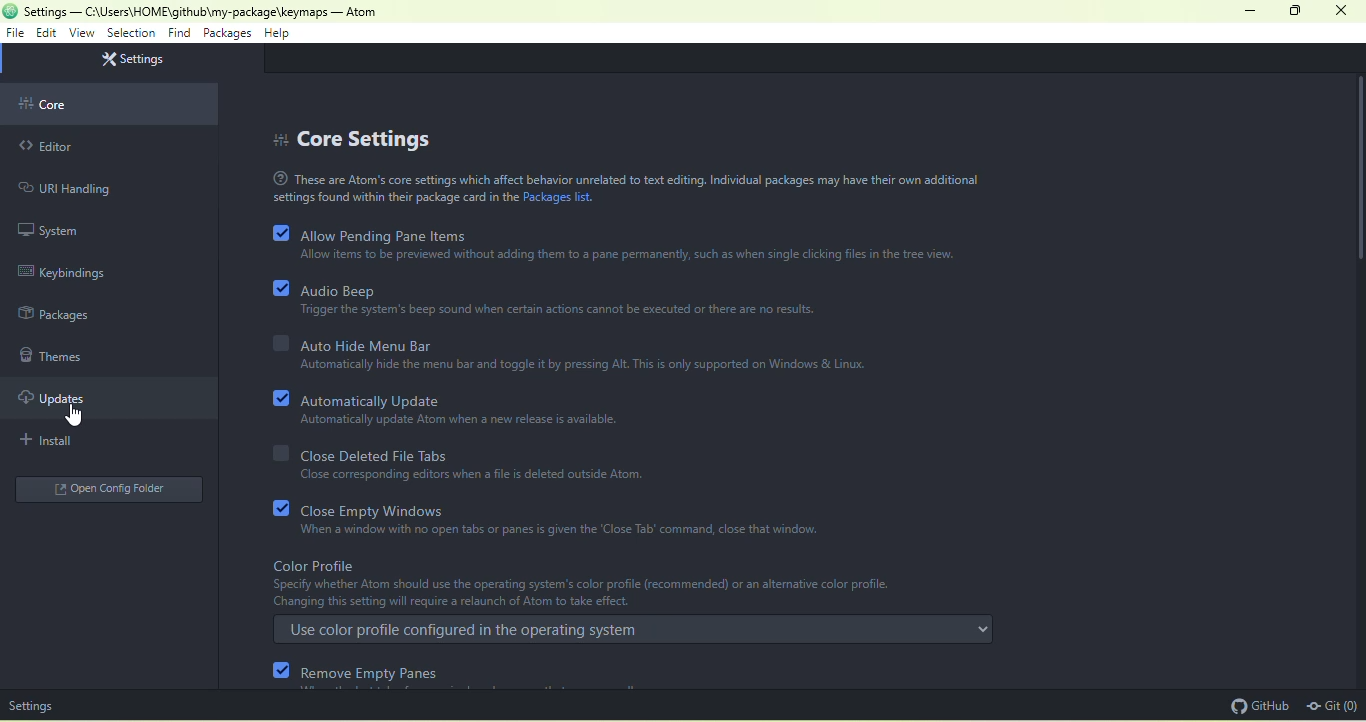 The height and width of the screenshot is (722, 1366). I want to click on - Atom, so click(356, 12).